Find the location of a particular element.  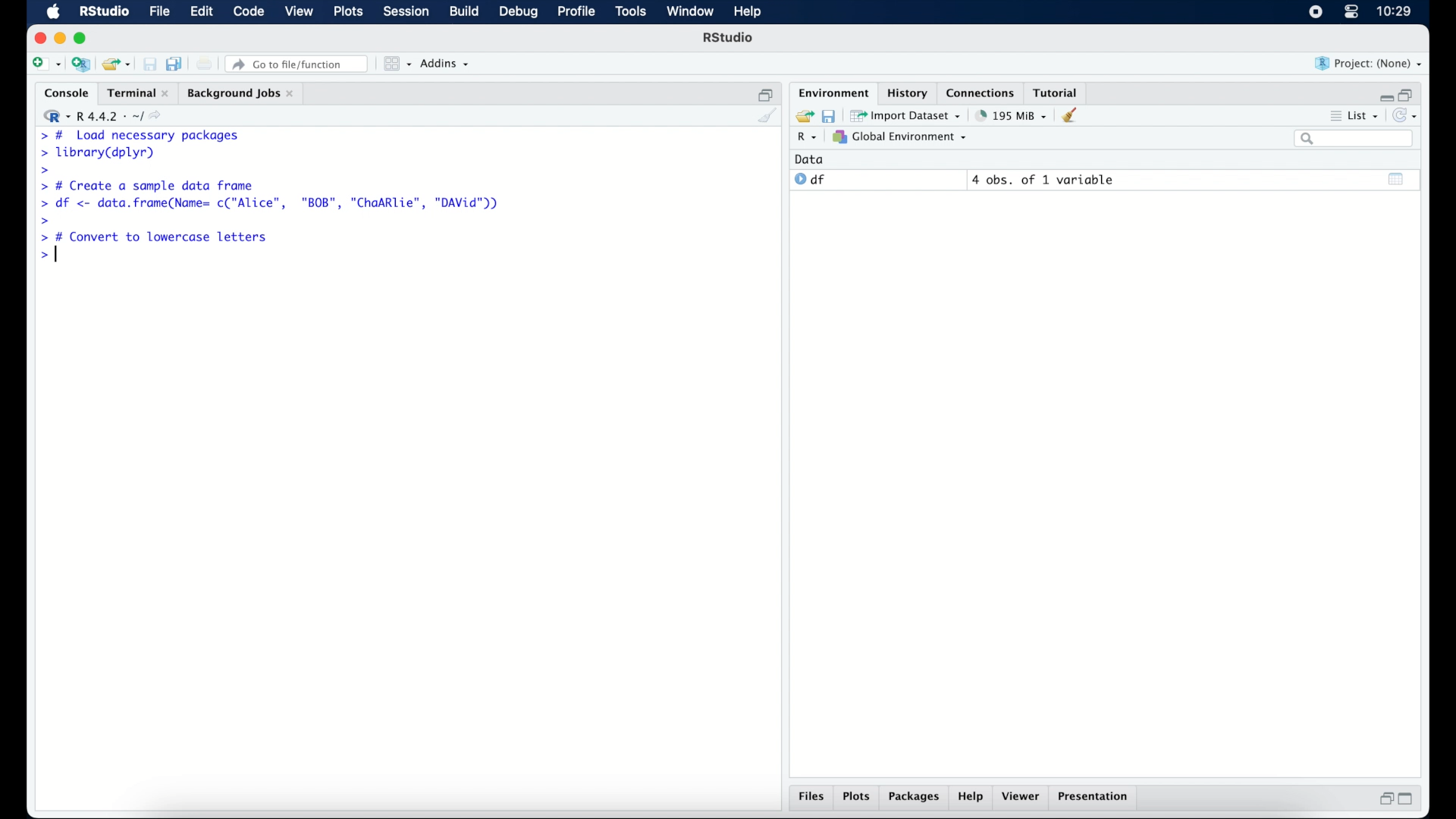

command prompt is located at coordinates (50, 257).